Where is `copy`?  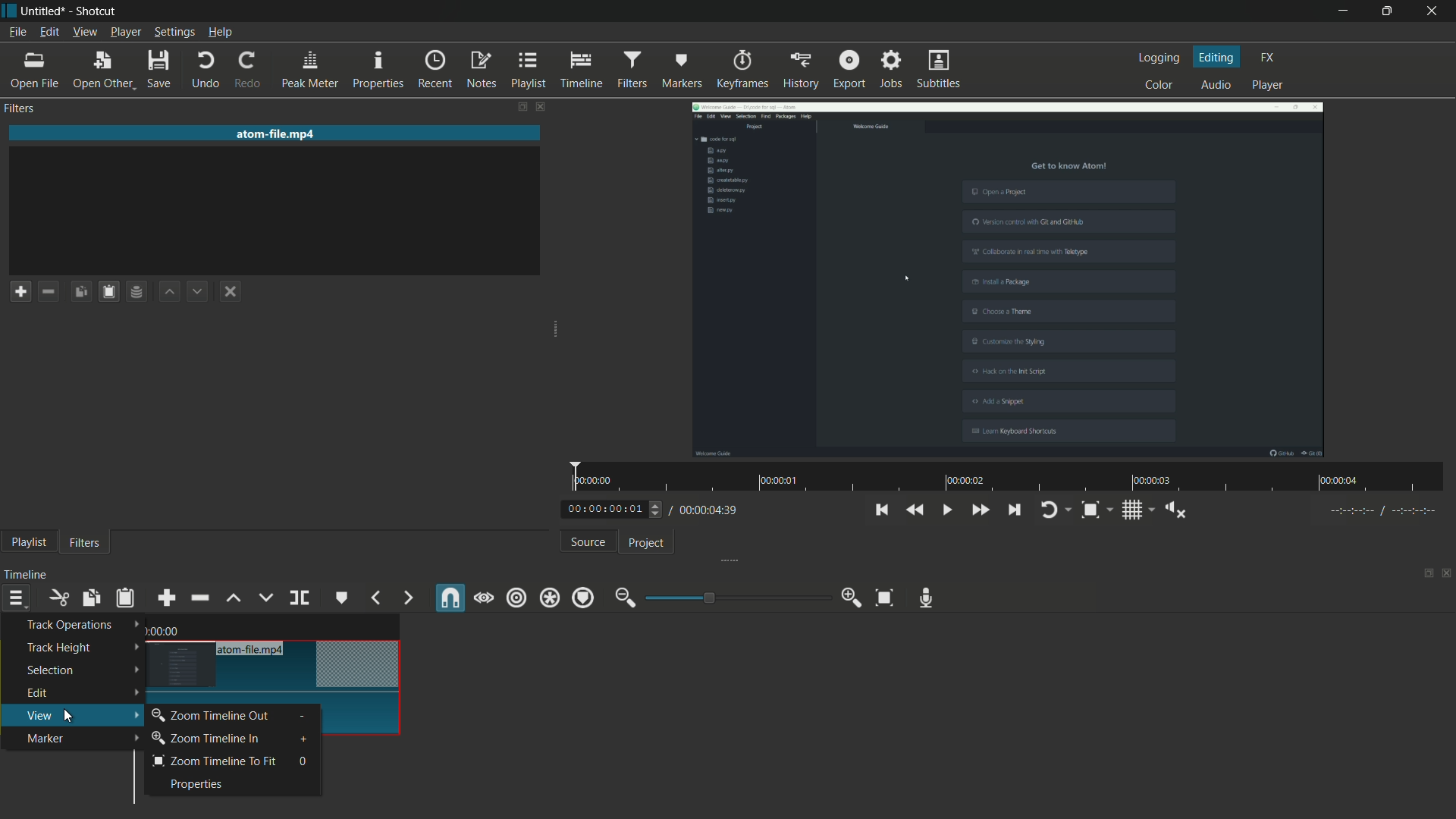
copy is located at coordinates (90, 598).